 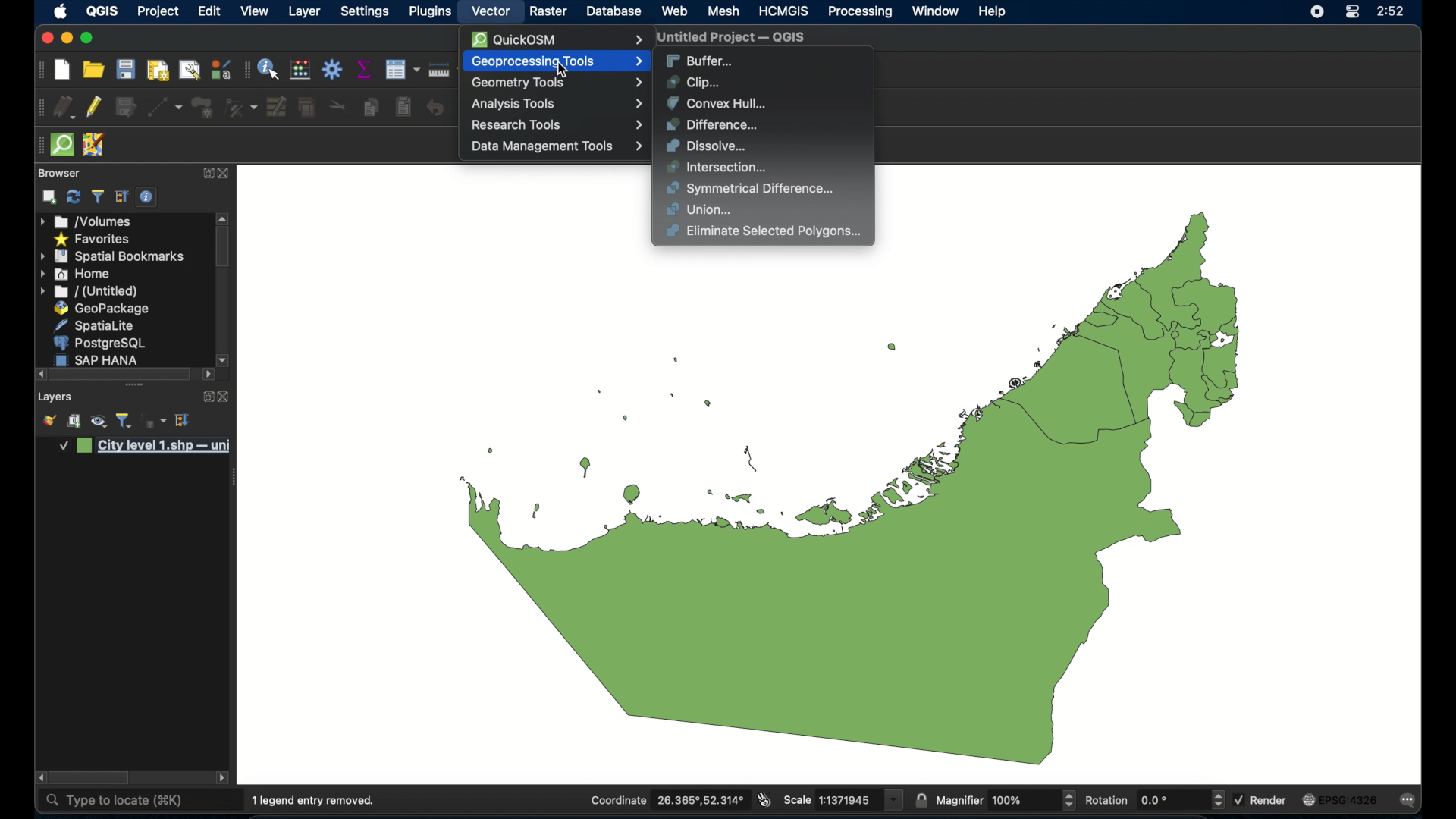 I want to click on copy features, so click(x=371, y=107).